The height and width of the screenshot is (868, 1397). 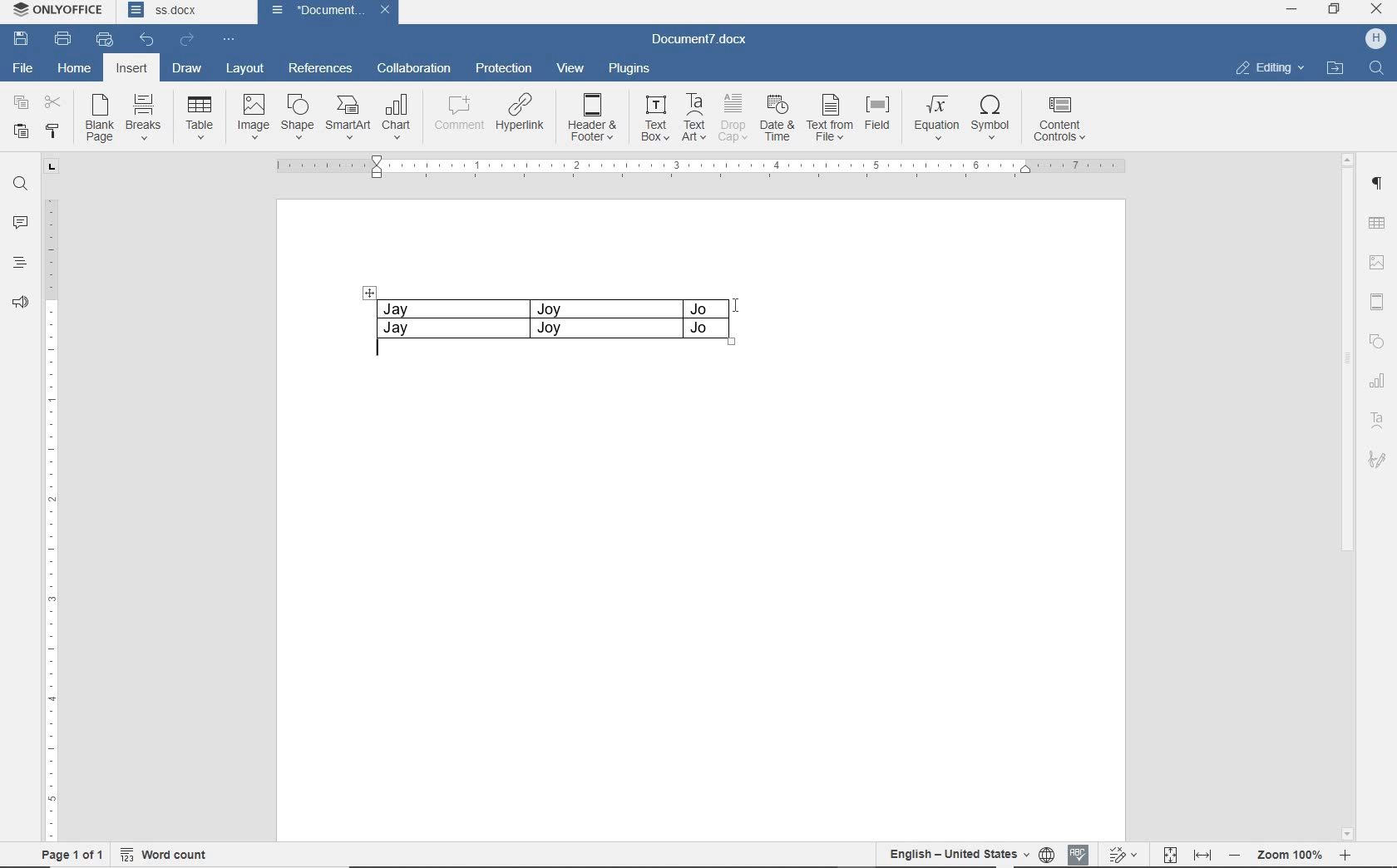 What do you see at coordinates (369, 292) in the screenshot?
I see `dragger` at bounding box center [369, 292].